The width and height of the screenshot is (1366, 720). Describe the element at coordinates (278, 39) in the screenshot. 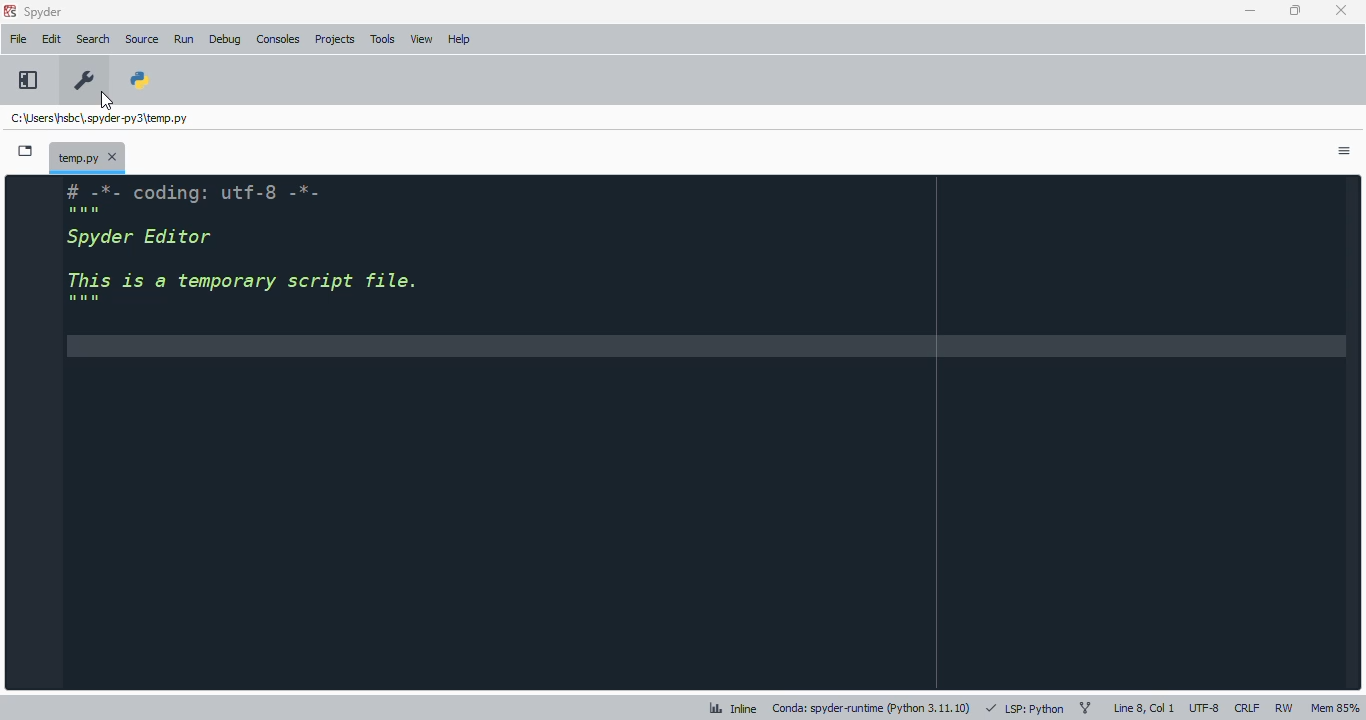

I see `consoles` at that location.